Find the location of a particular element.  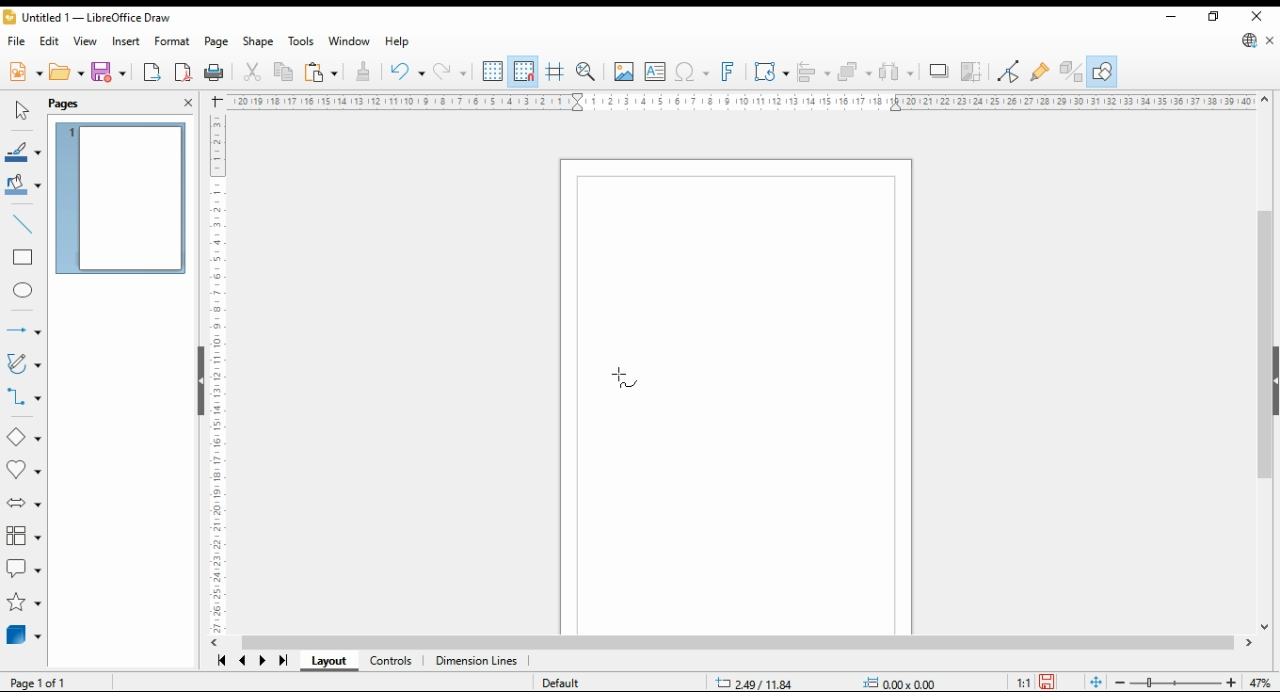

toggle endpoint edit mode is located at coordinates (1009, 72).